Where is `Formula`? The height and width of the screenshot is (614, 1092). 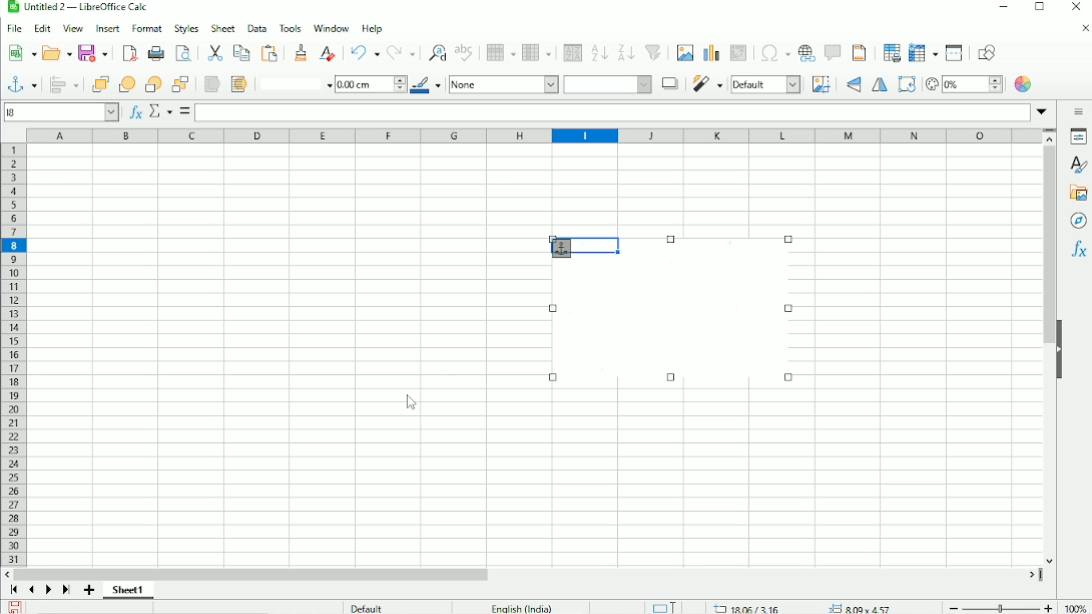 Formula is located at coordinates (184, 111).